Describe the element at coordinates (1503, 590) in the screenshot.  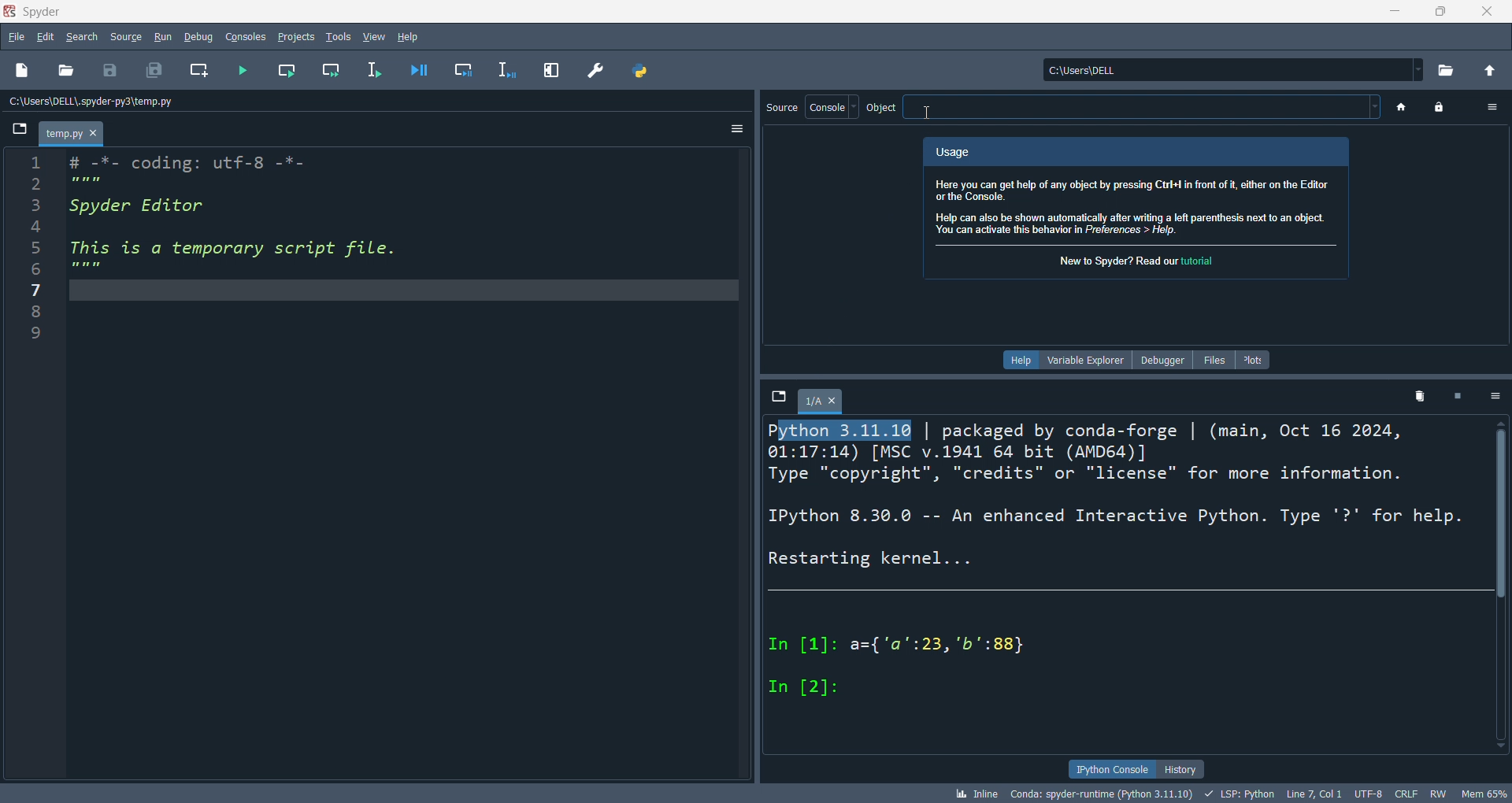
I see `scroll bar` at that location.